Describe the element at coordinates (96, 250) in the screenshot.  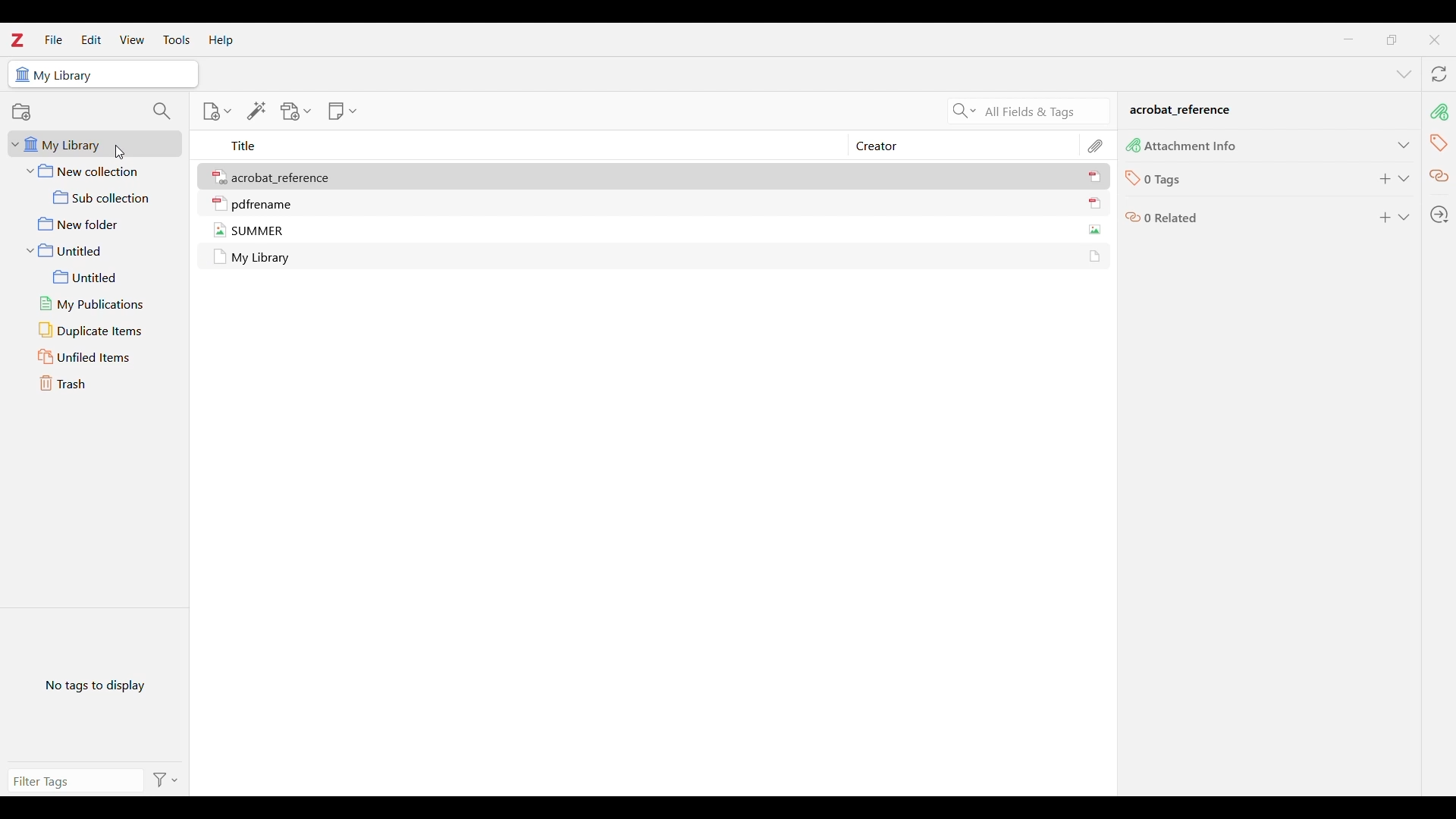
I see `Untitled folder` at that location.